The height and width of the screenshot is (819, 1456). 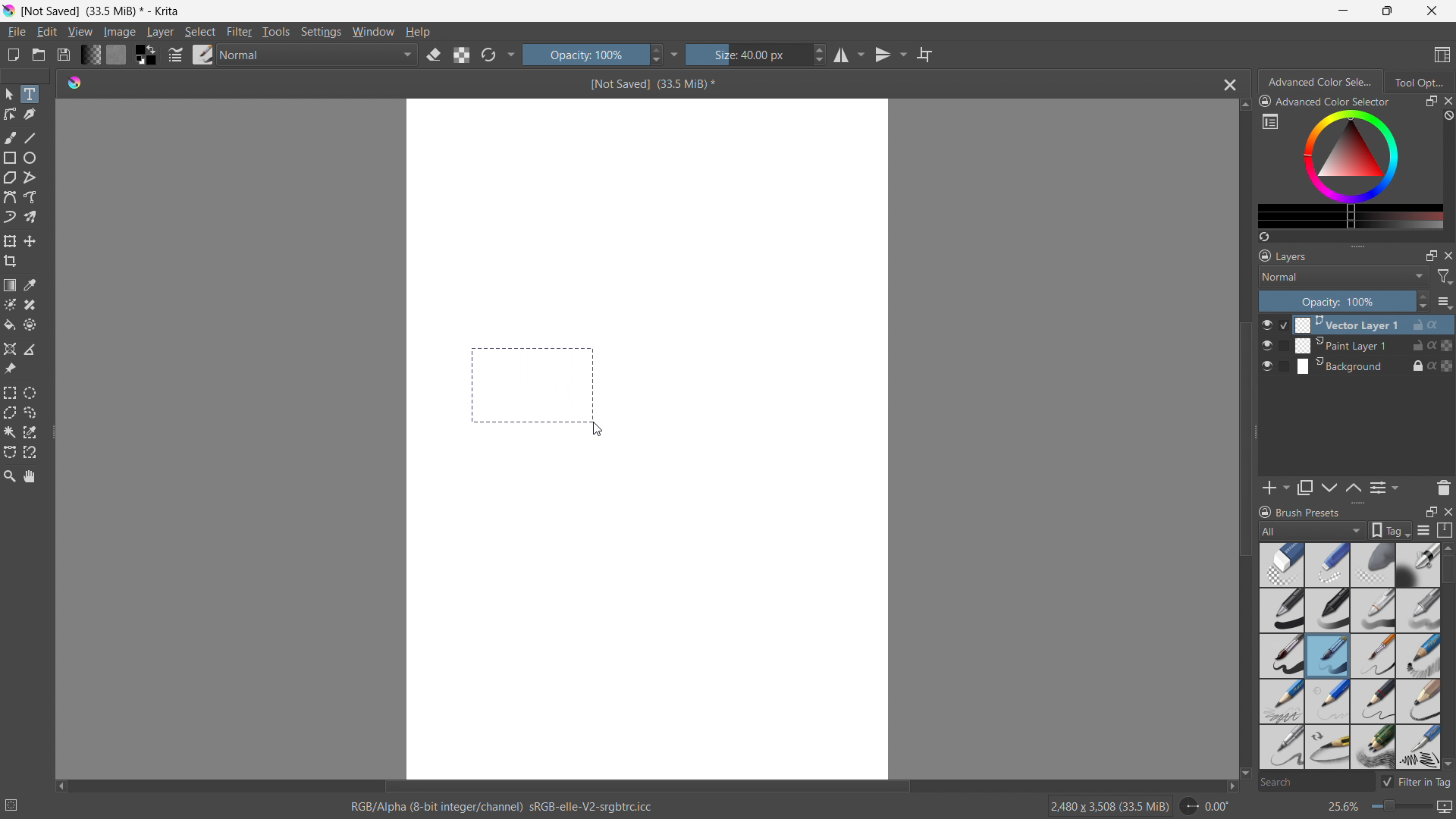 I want to click on sketch pencil, so click(x=1417, y=657).